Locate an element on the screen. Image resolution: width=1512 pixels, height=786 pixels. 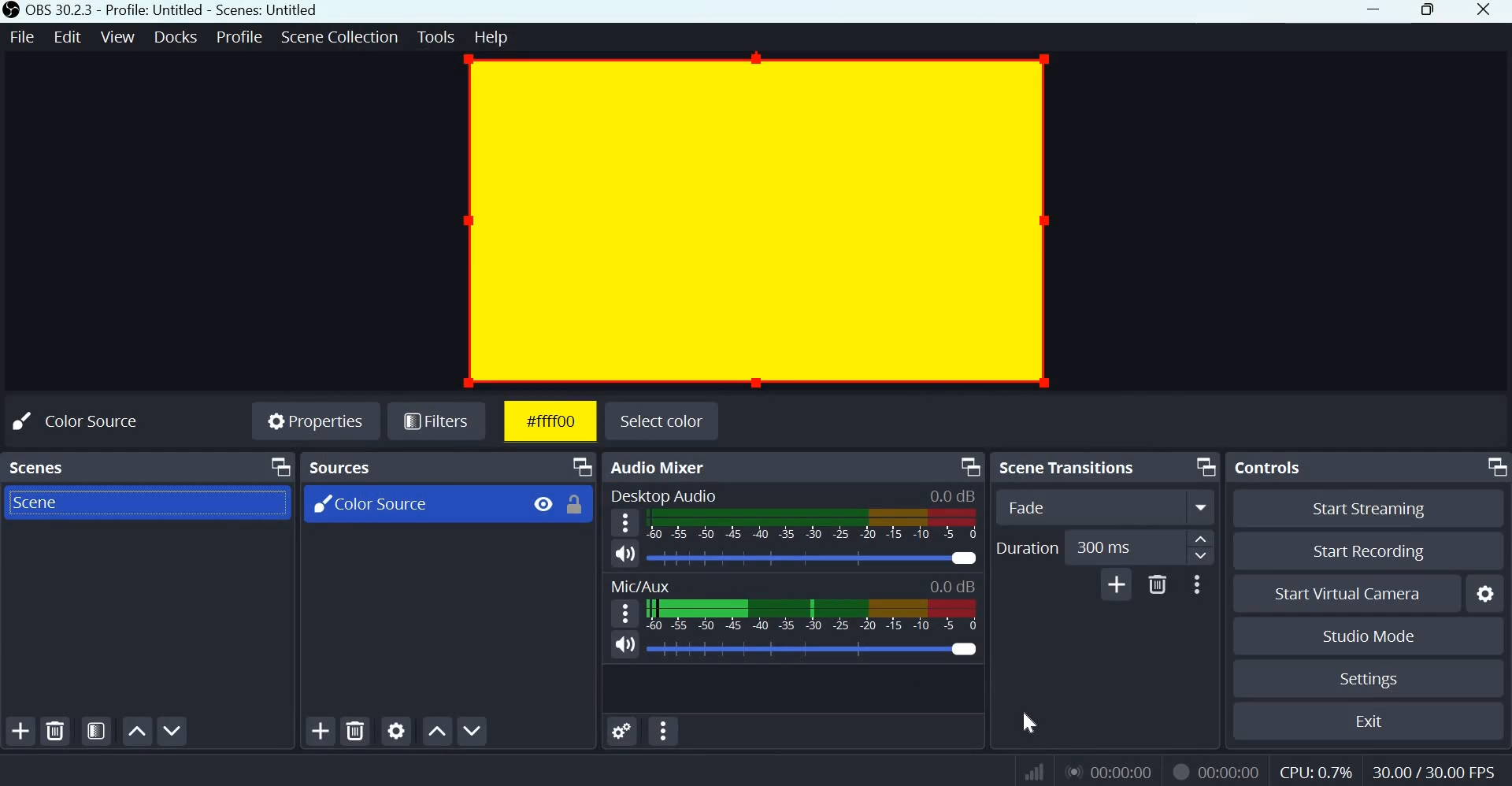
Configure virtual camers is located at coordinates (1488, 595).